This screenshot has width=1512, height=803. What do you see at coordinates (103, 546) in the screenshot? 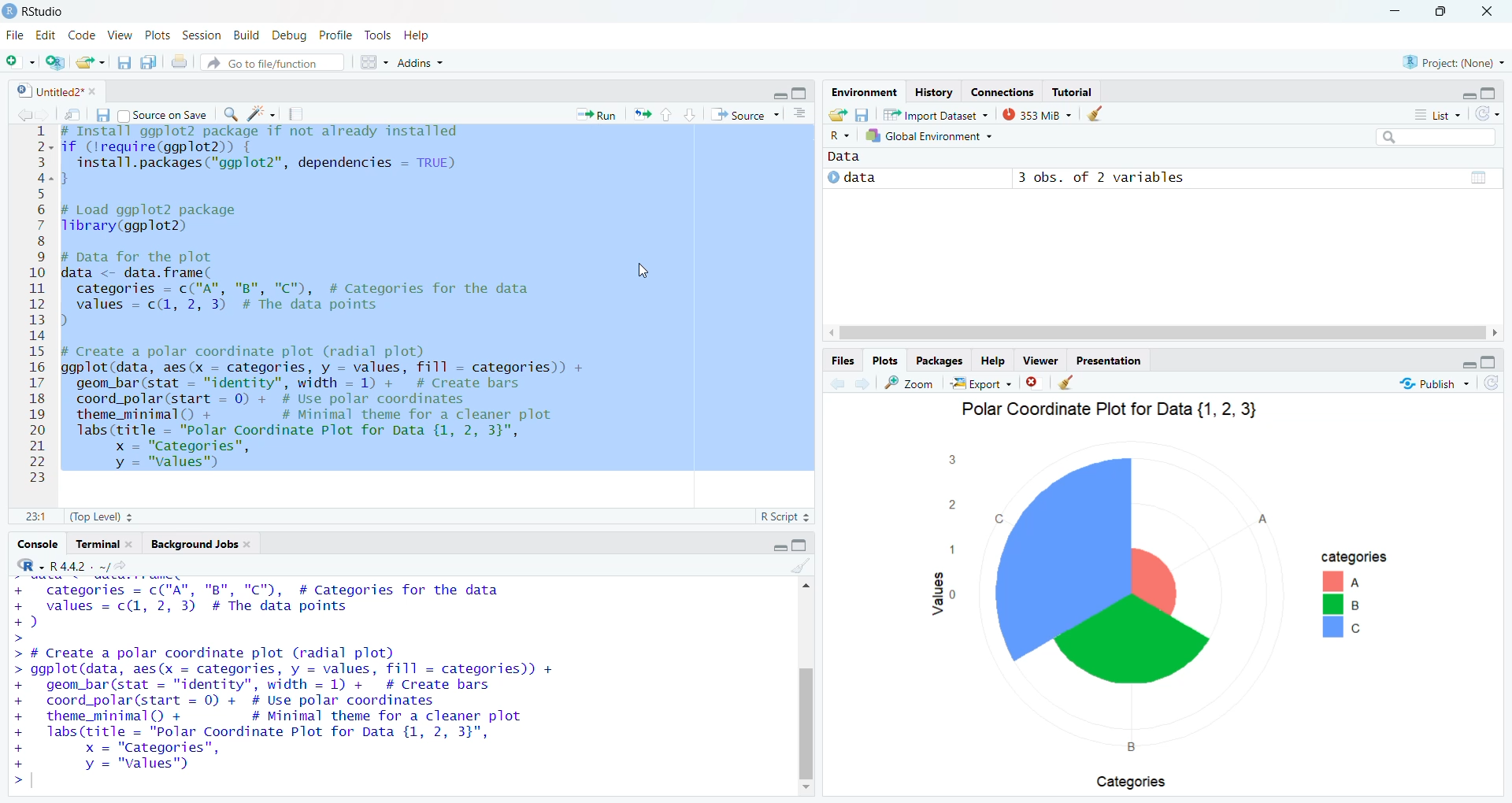
I see `Terminal` at bounding box center [103, 546].